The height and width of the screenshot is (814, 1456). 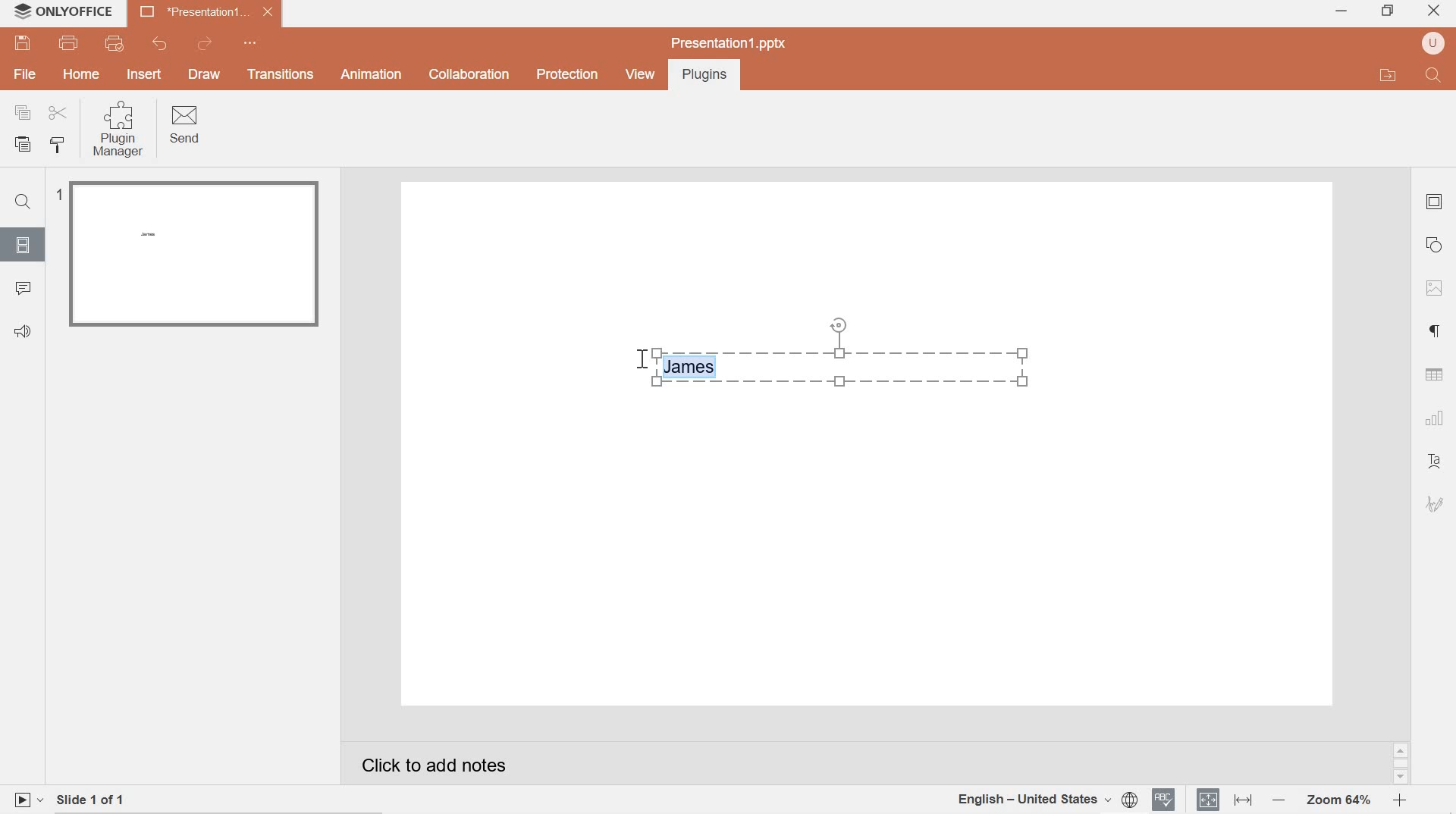 I want to click on Plugin Manager, so click(x=121, y=130).